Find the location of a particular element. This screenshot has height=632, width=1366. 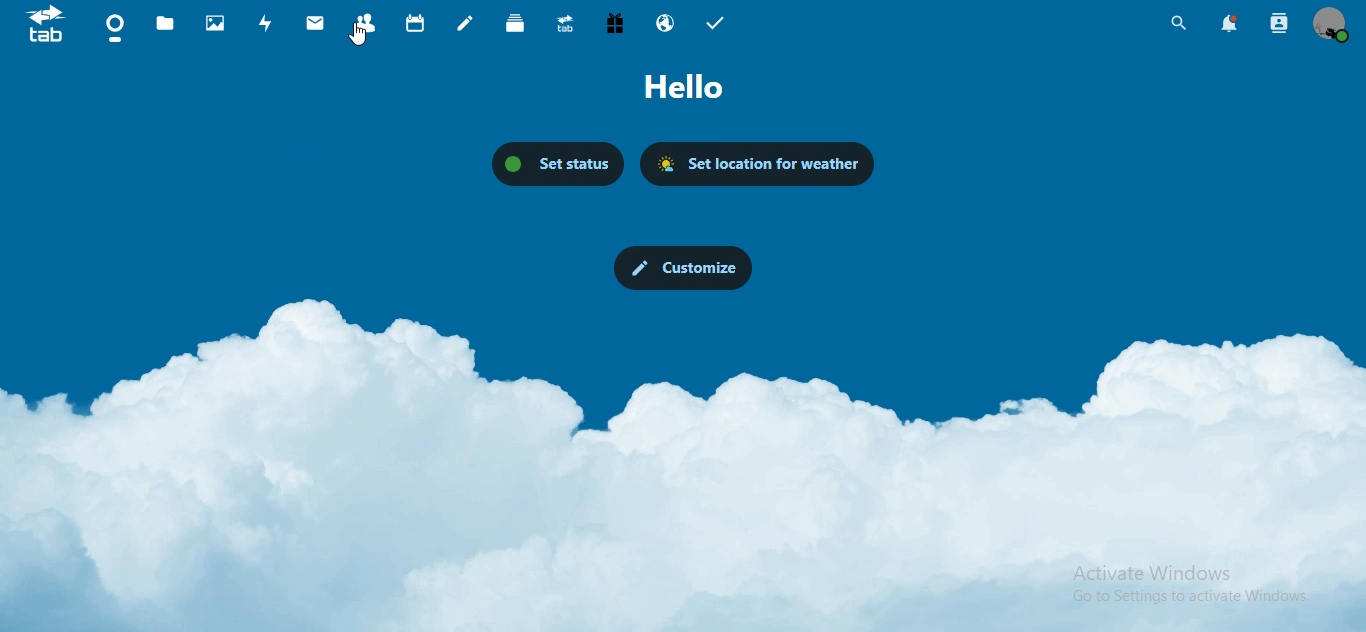

contacts is located at coordinates (365, 23).